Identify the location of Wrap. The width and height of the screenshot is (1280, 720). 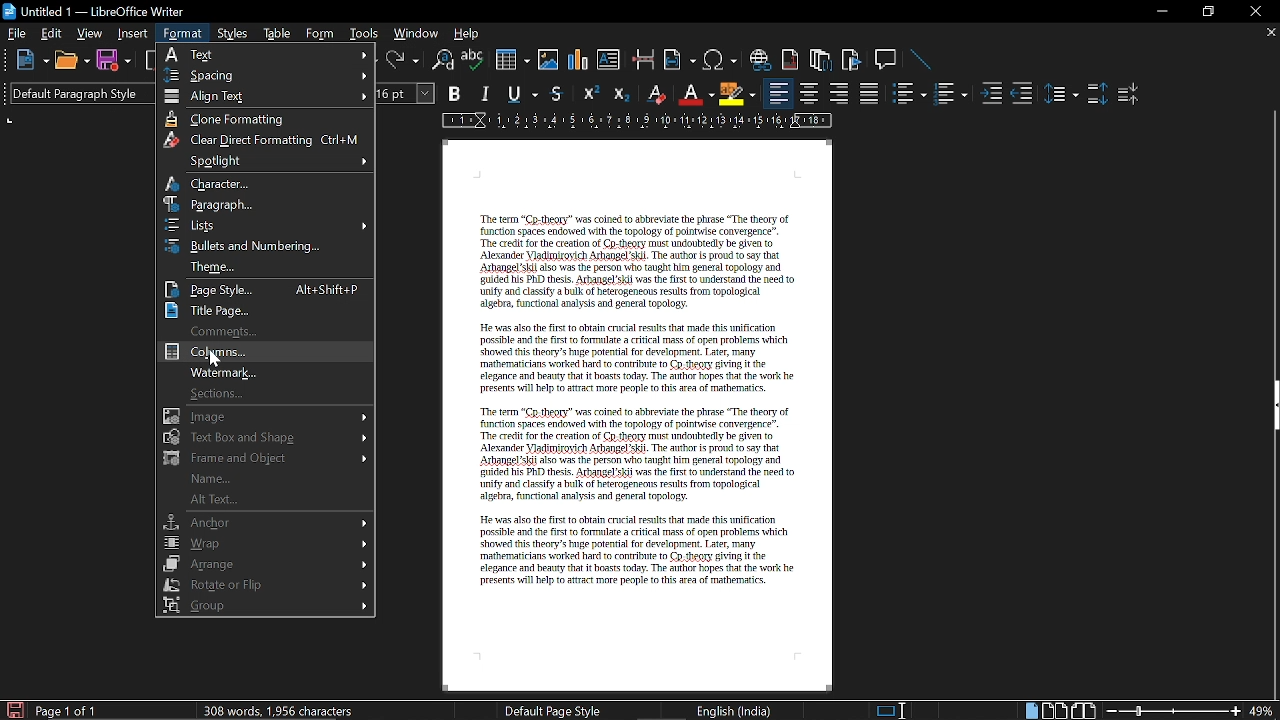
(264, 542).